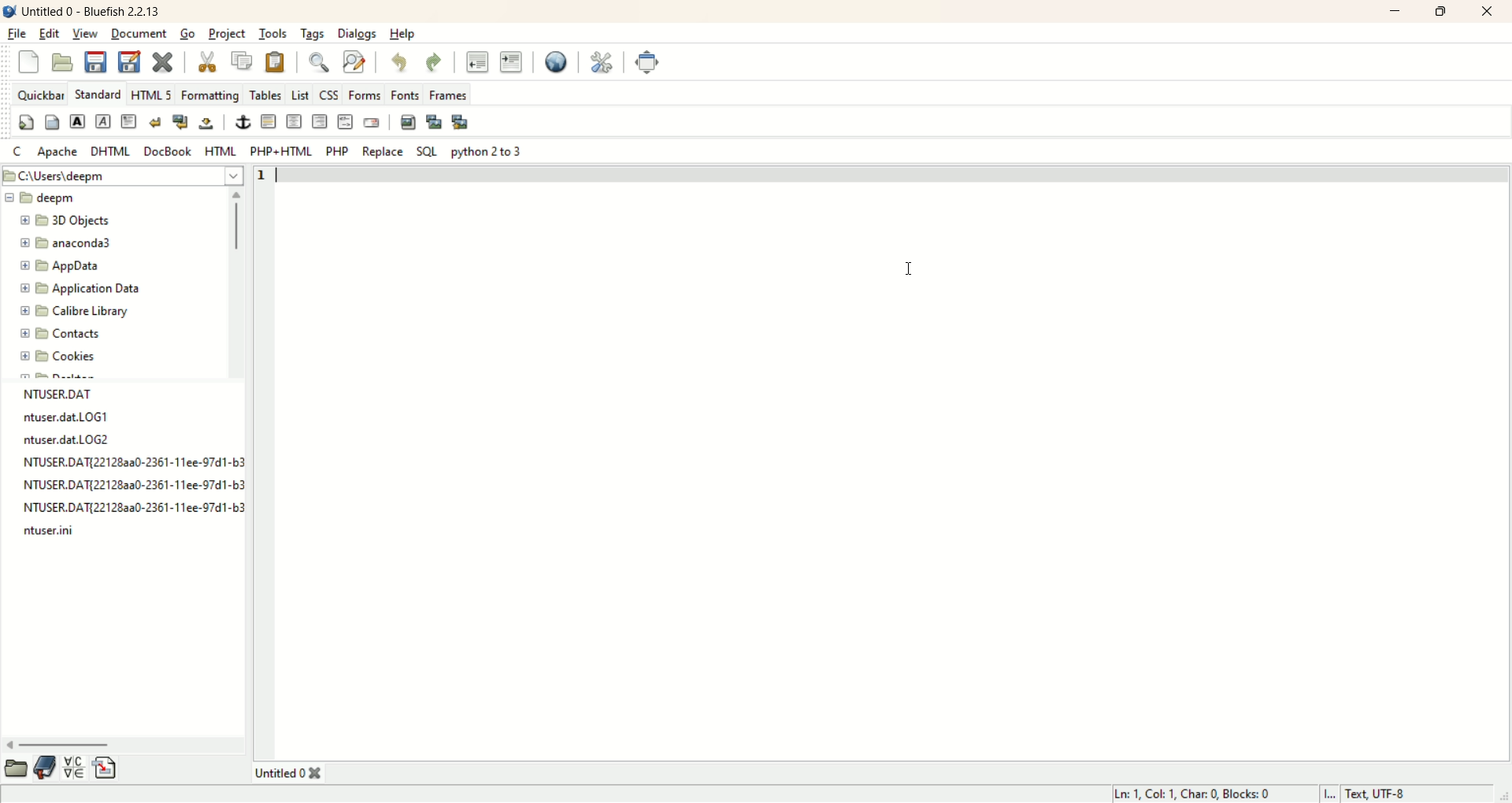 This screenshot has width=1512, height=803. Describe the element at coordinates (68, 361) in the screenshot. I see `cookies` at that location.